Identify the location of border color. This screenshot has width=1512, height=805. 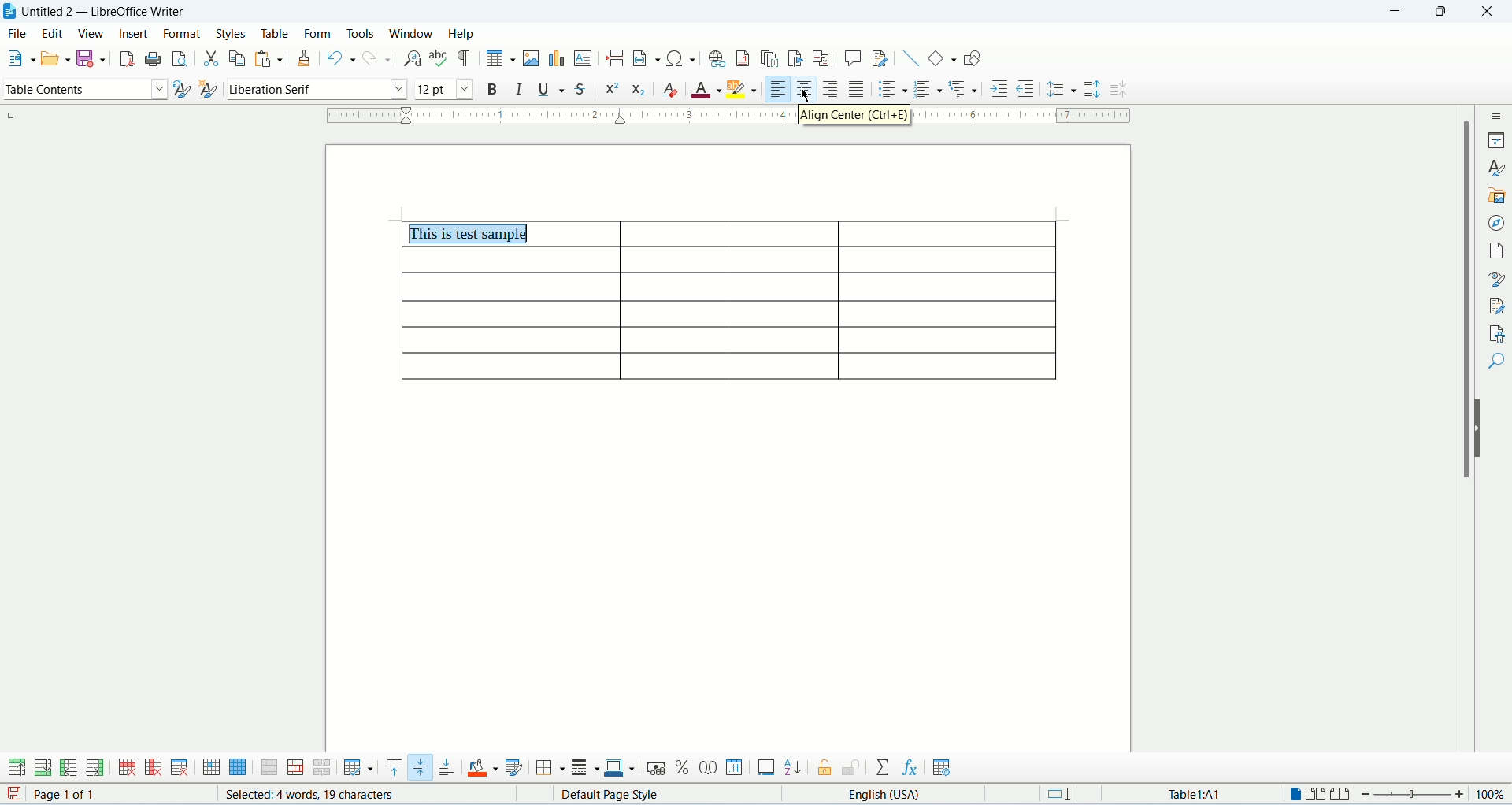
(621, 770).